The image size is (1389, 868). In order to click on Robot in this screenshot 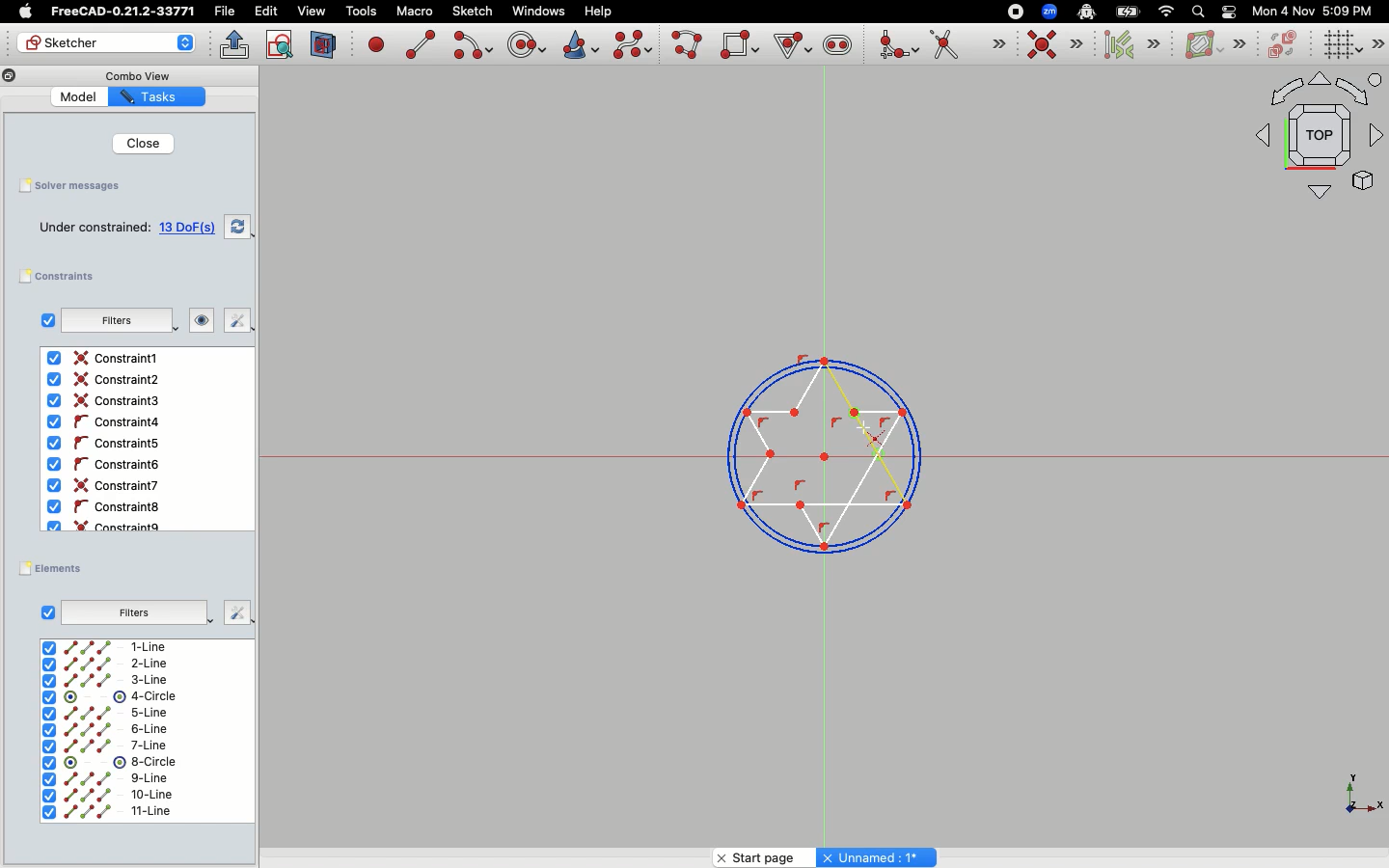, I will do `click(1086, 14)`.